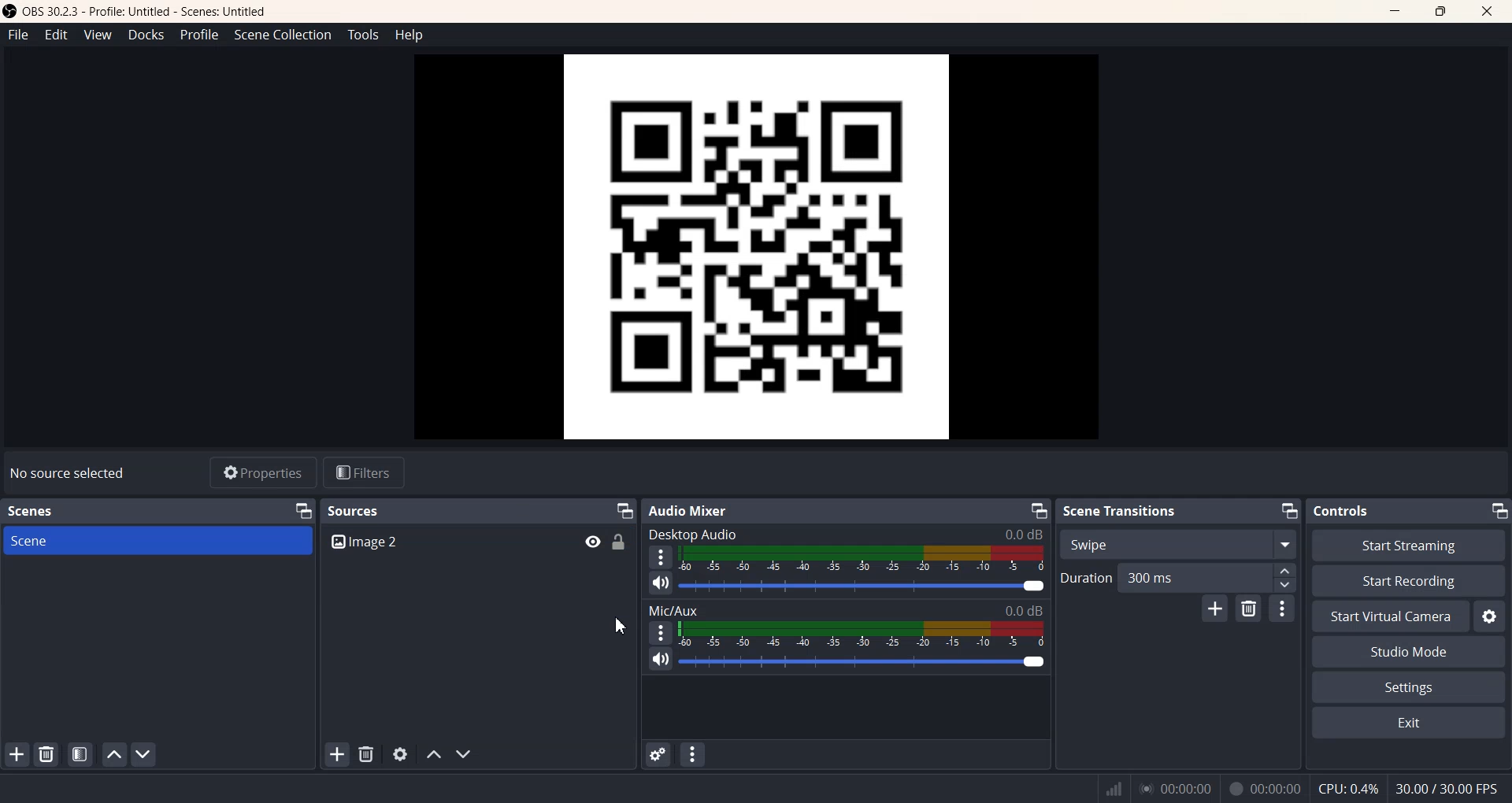 The image size is (1512, 803). I want to click on Help, so click(409, 35).